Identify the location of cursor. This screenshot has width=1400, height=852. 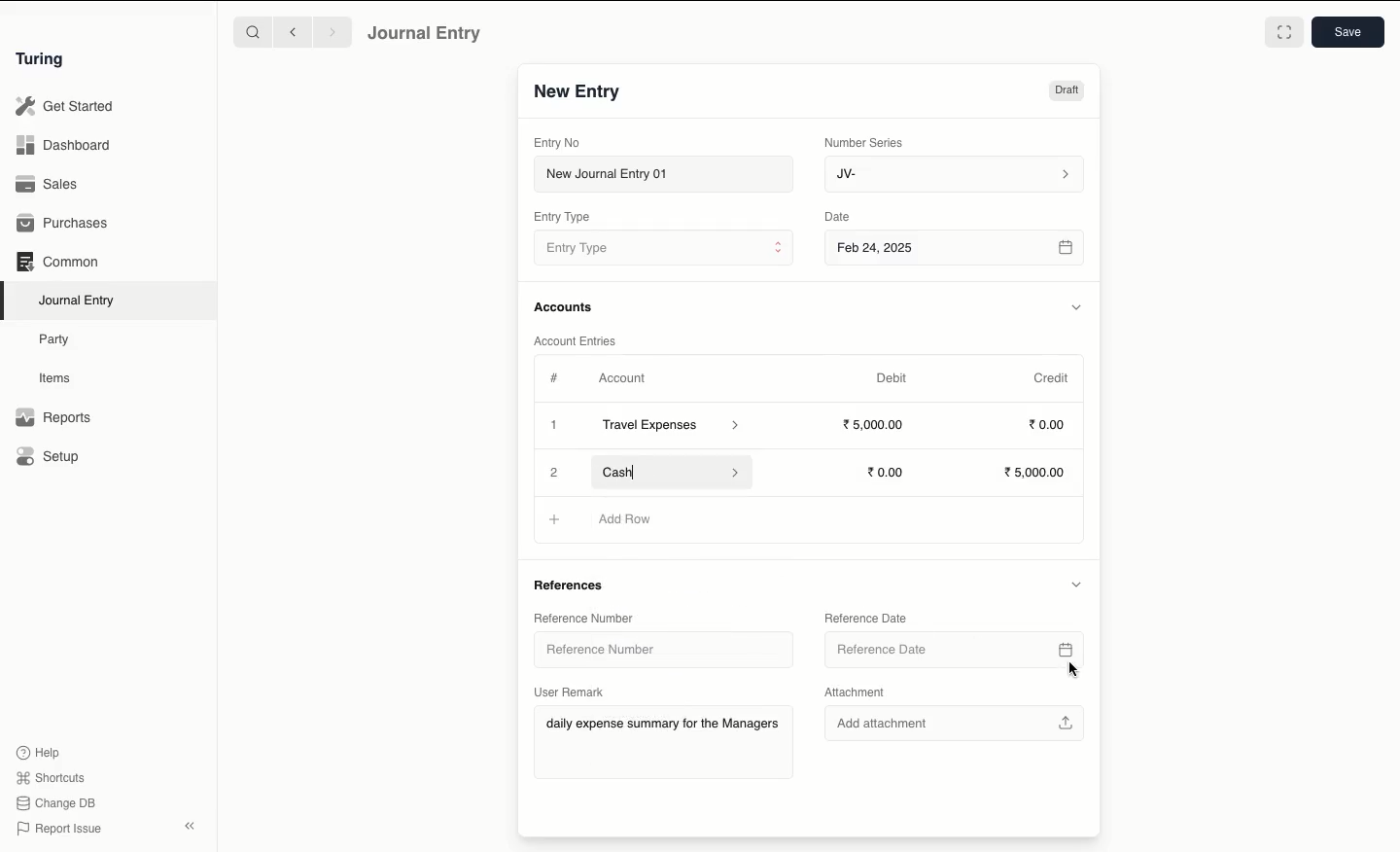
(1072, 671).